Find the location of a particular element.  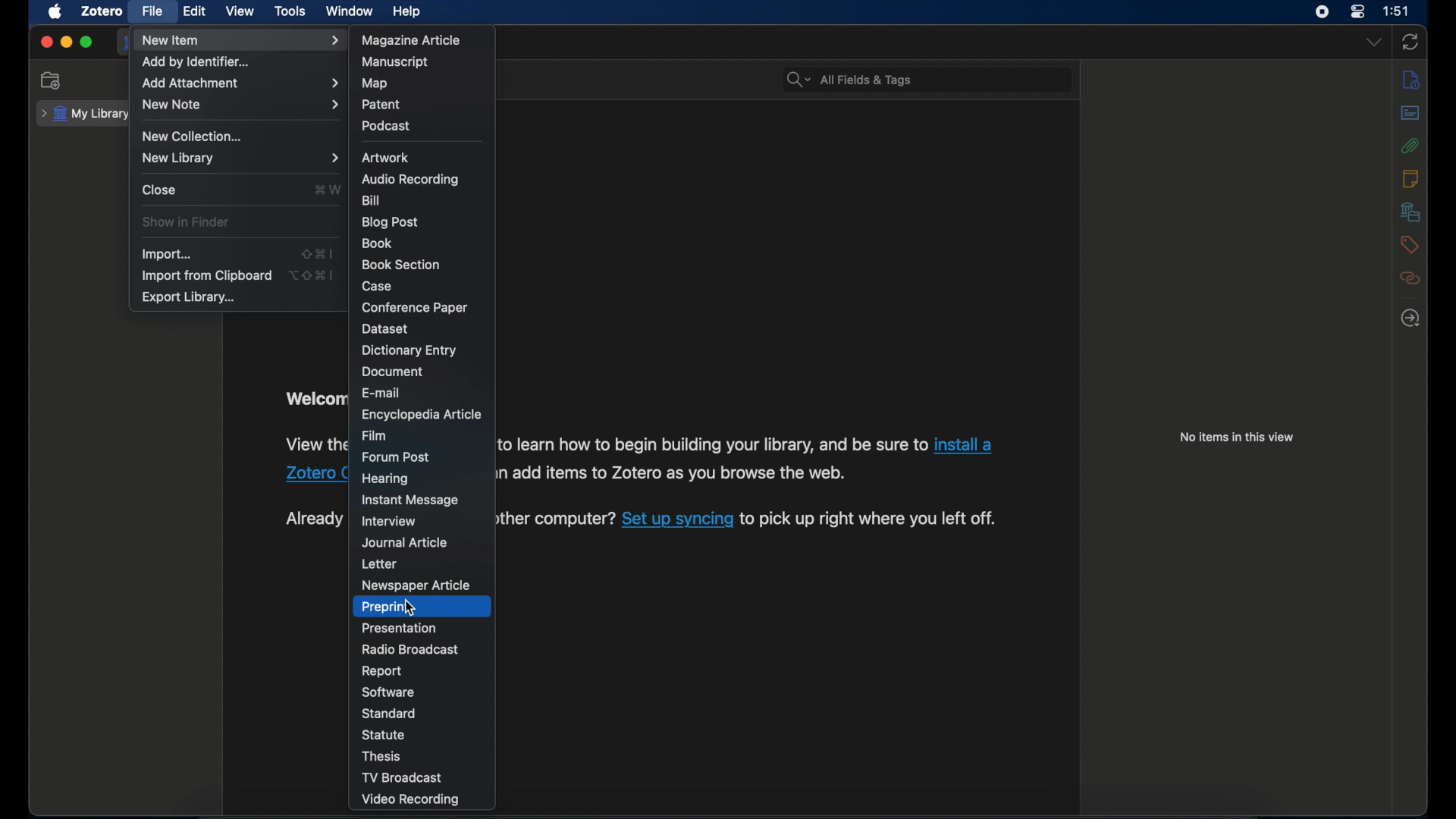

new item is located at coordinates (240, 40).